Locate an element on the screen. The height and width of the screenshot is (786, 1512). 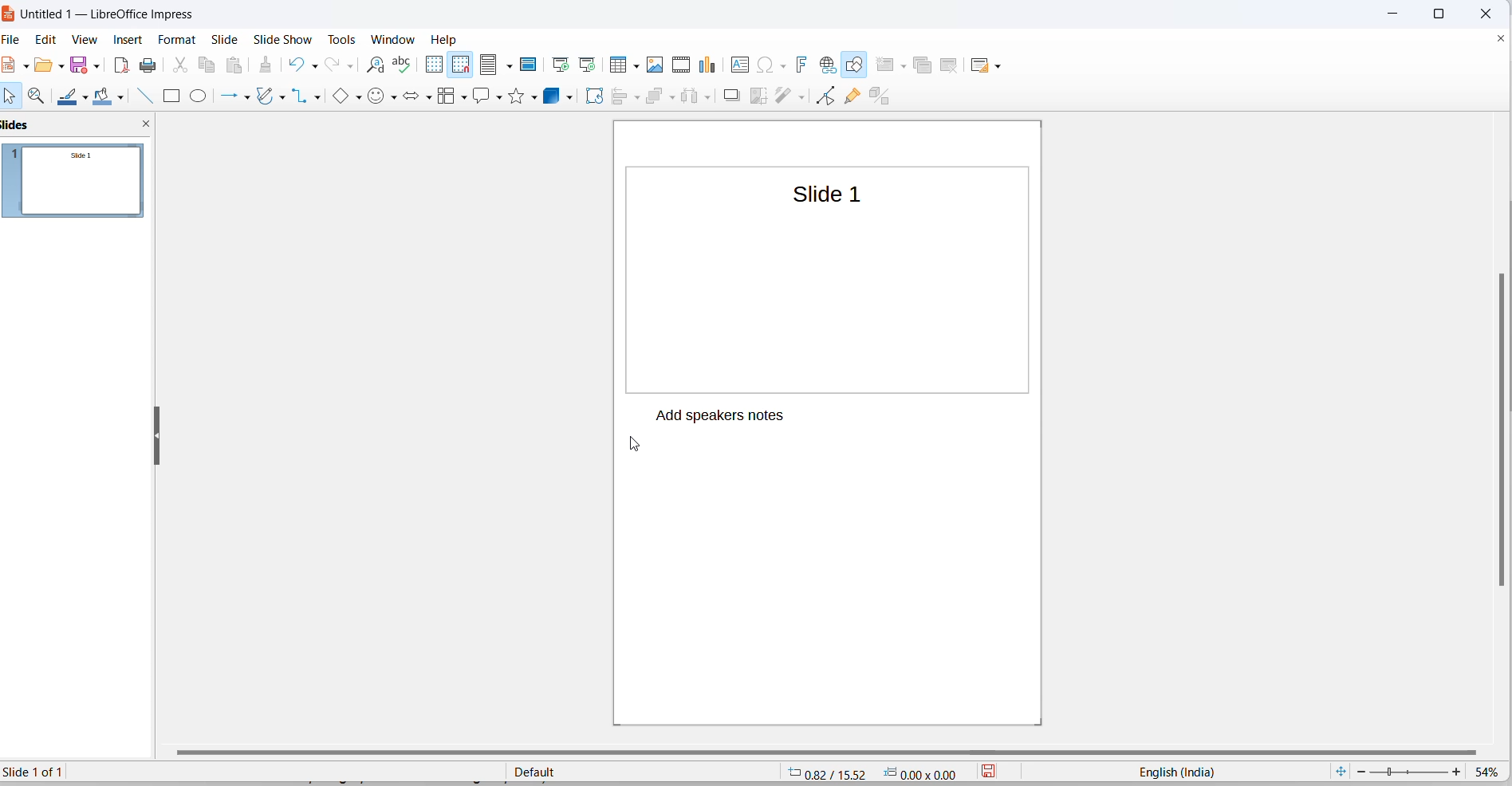
stars is located at coordinates (522, 95).